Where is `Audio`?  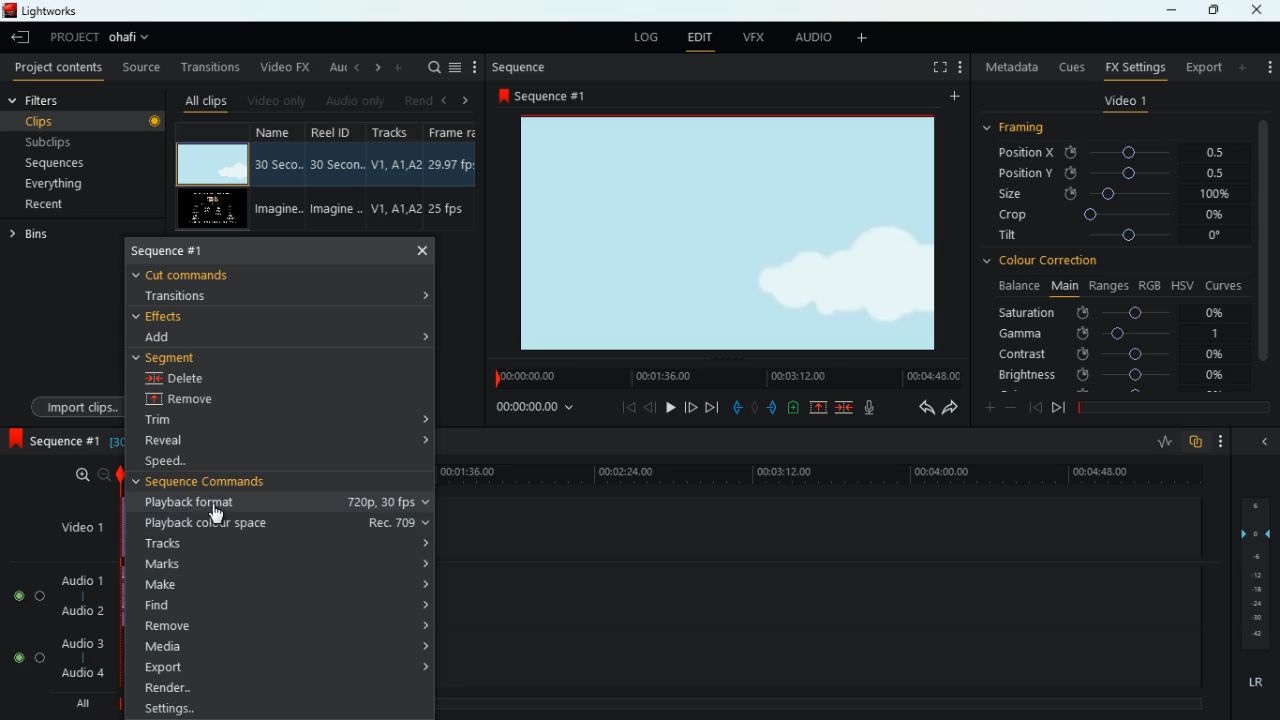
Audio is located at coordinates (28, 596).